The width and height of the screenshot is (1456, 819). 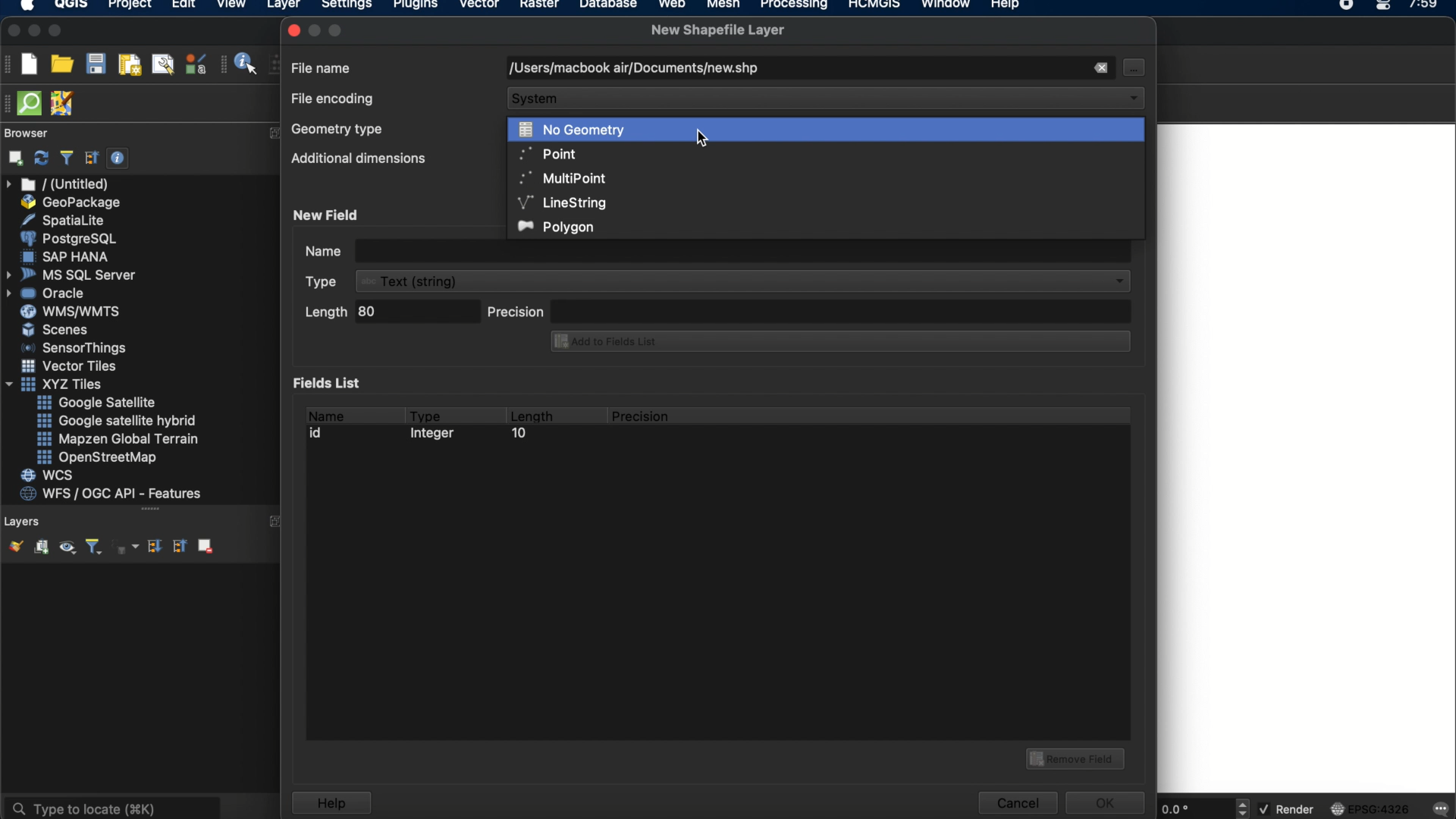 I want to click on control center macOS, so click(x=1382, y=7).